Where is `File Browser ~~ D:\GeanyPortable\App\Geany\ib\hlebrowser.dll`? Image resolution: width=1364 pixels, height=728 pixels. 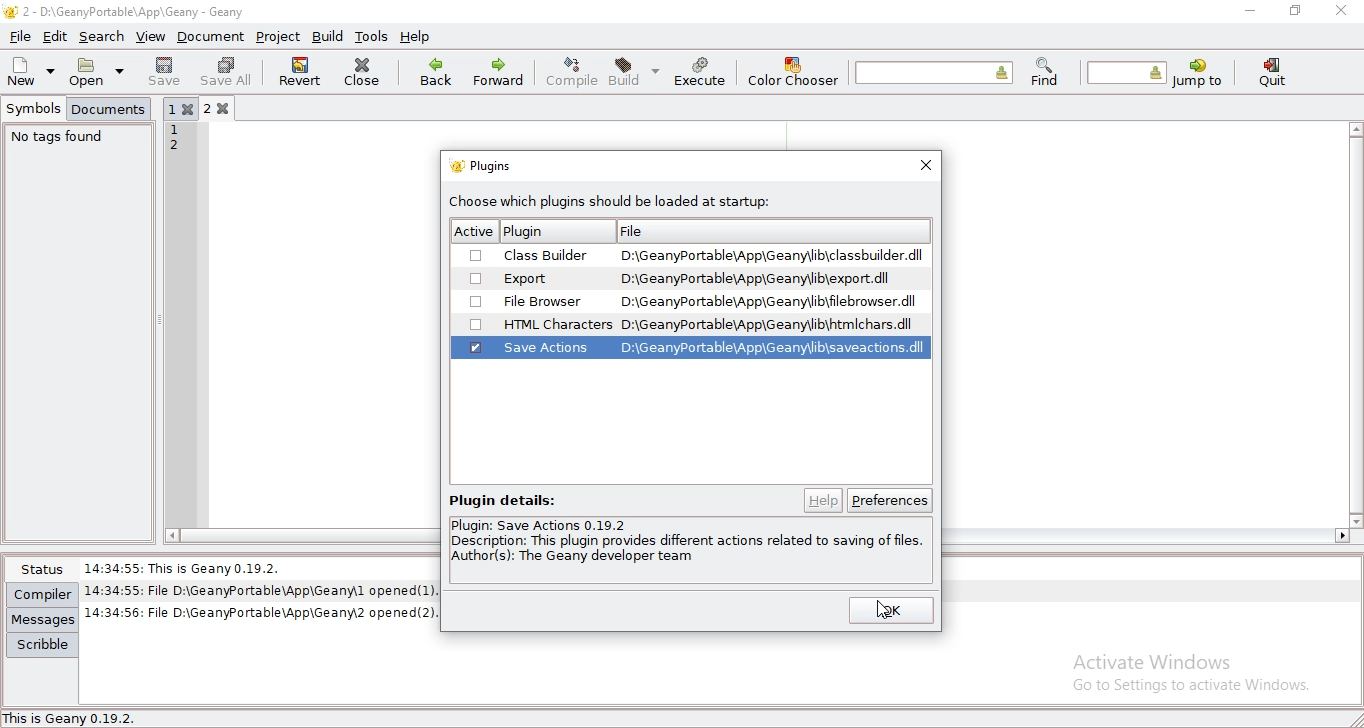
File Browser ~~ D:\GeanyPortable\App\Geany\ib\hlebrowser.dll is located at coordinates (691, 303).